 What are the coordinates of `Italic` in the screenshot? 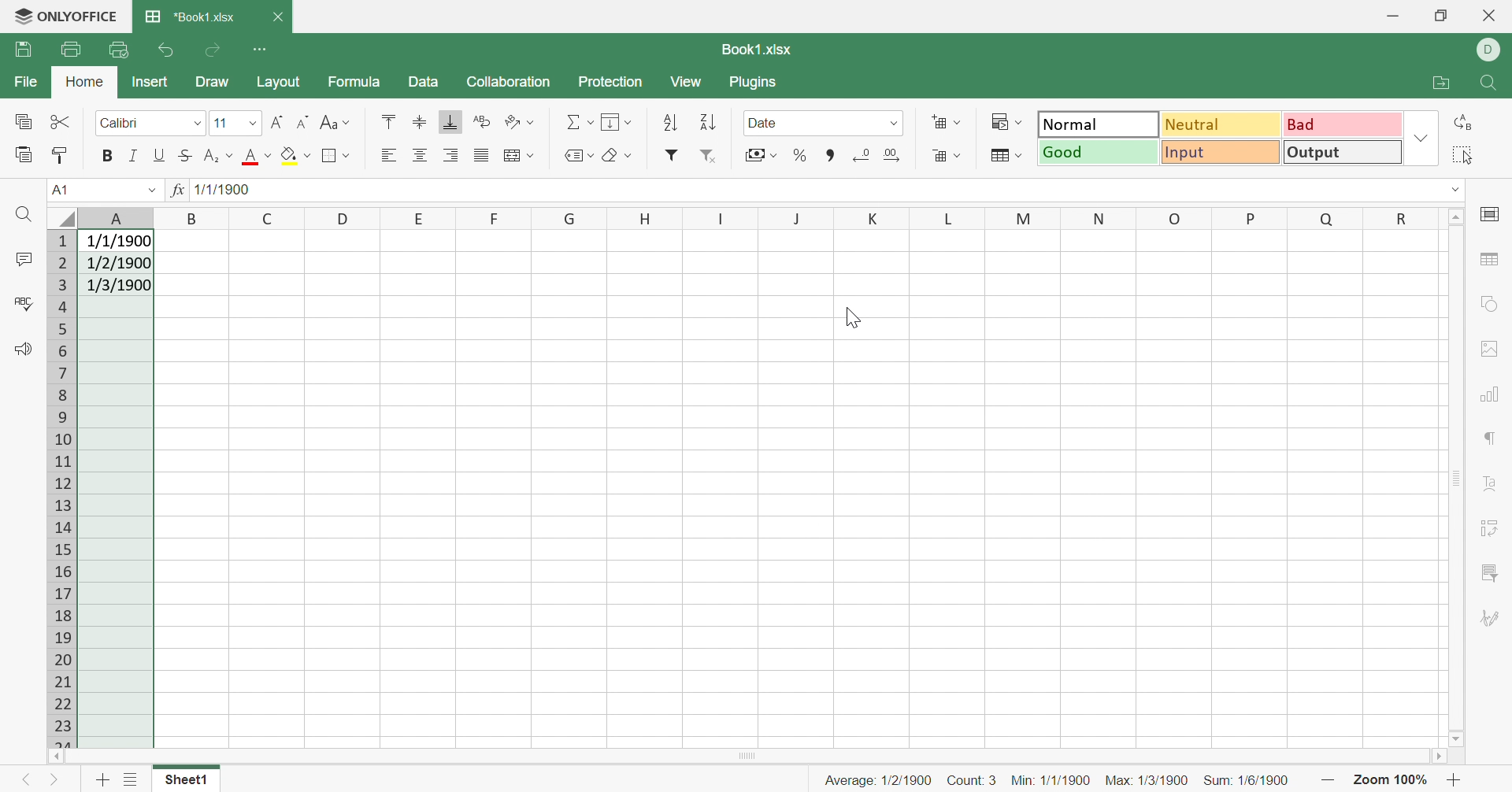 It's located at (133, 155).